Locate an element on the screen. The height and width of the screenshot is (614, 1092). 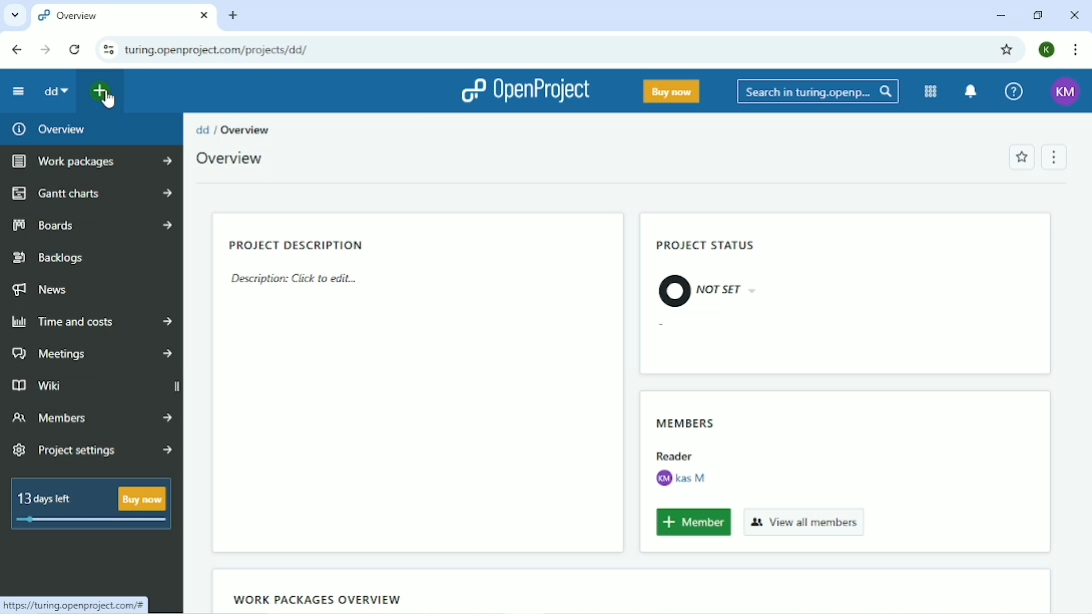
Open quick add menu is located at coordinates (101, 94).